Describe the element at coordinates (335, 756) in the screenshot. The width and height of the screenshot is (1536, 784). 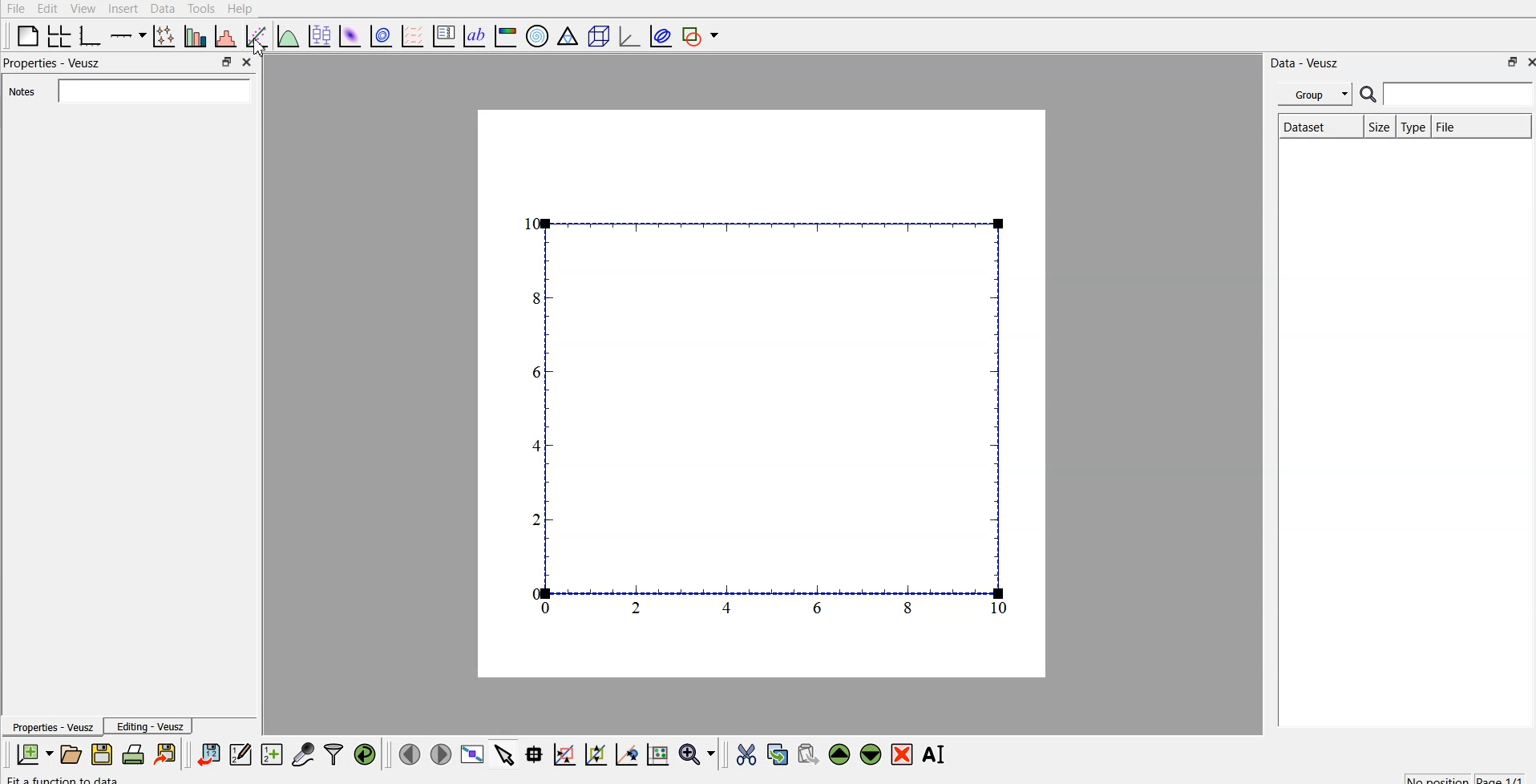
I see `filter data` at that location.